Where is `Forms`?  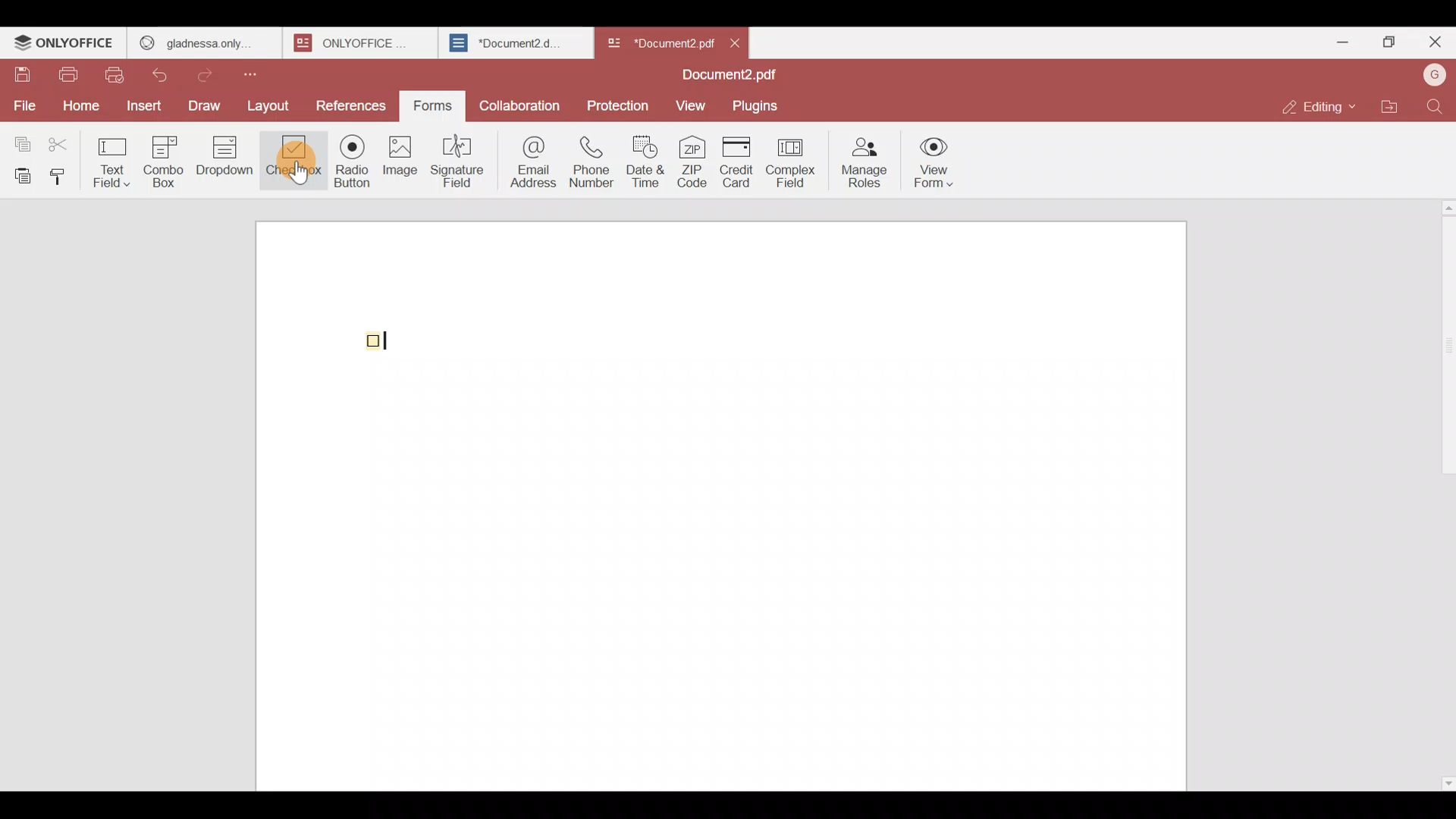 Forms is located at coordinates (434, 104).